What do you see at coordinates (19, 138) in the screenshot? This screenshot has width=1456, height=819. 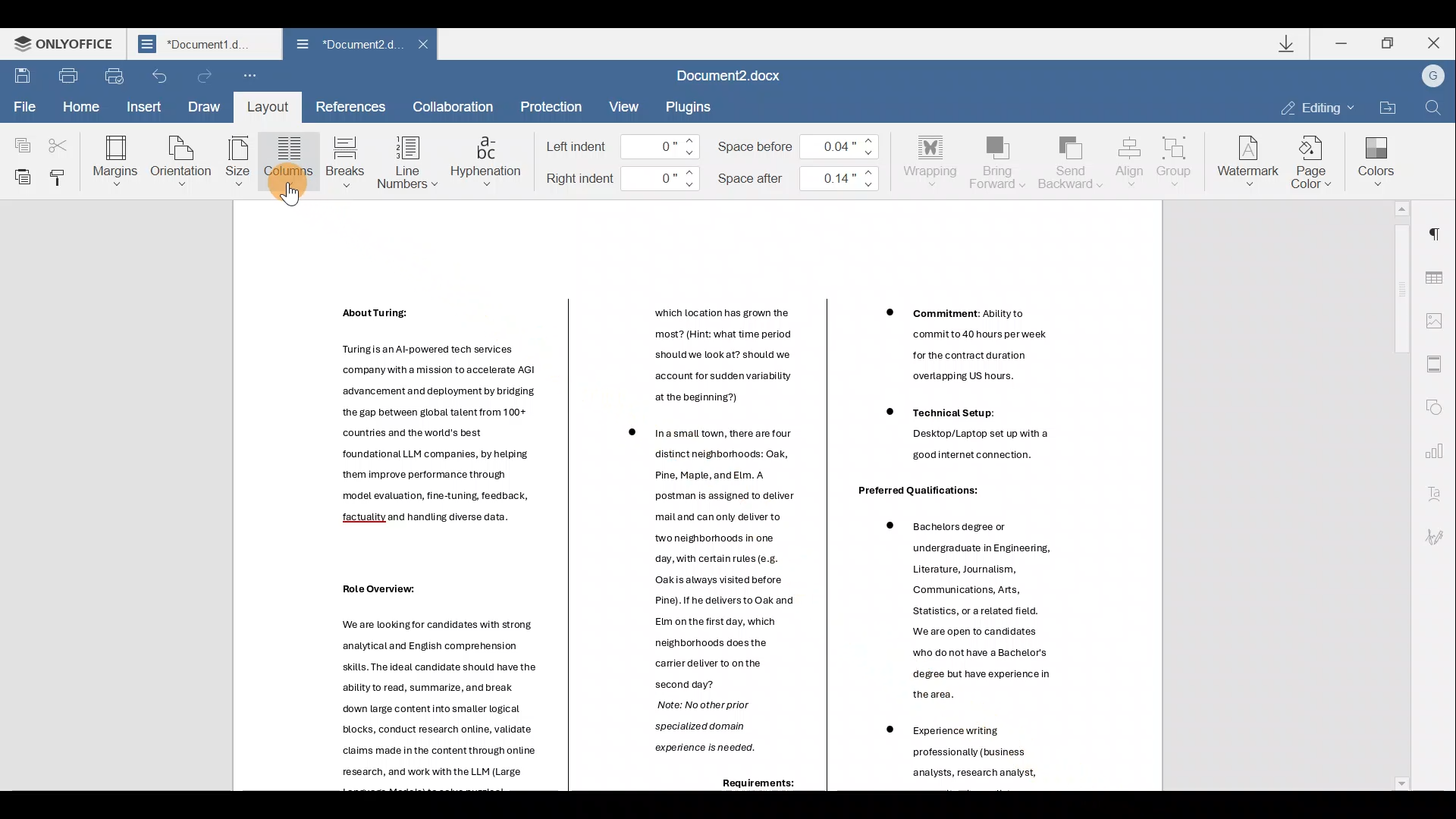 I see `Copy` at bounding box center [19, 138].